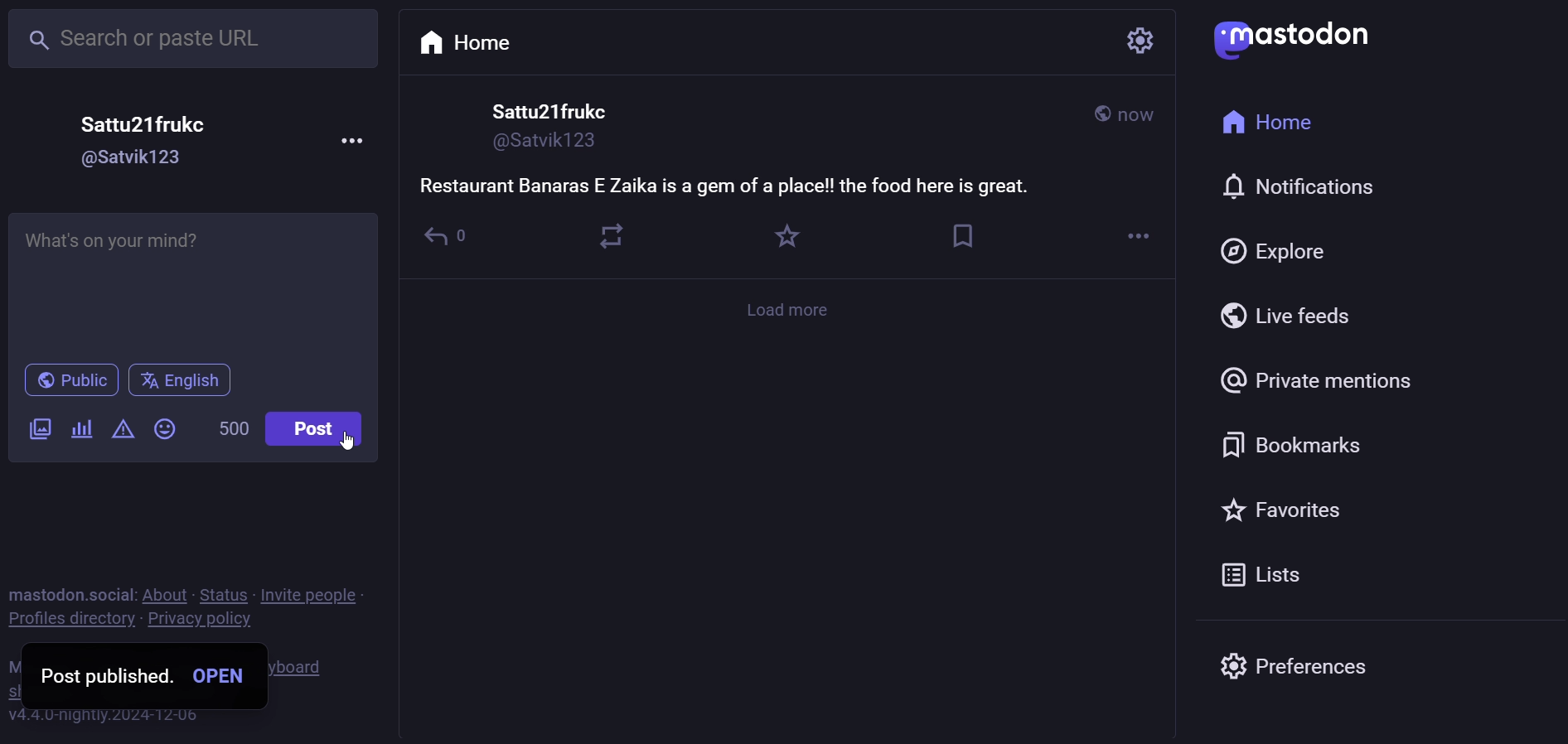 This screenshot has width=1568, height=744. I want to click on Home, so click(467, 41).